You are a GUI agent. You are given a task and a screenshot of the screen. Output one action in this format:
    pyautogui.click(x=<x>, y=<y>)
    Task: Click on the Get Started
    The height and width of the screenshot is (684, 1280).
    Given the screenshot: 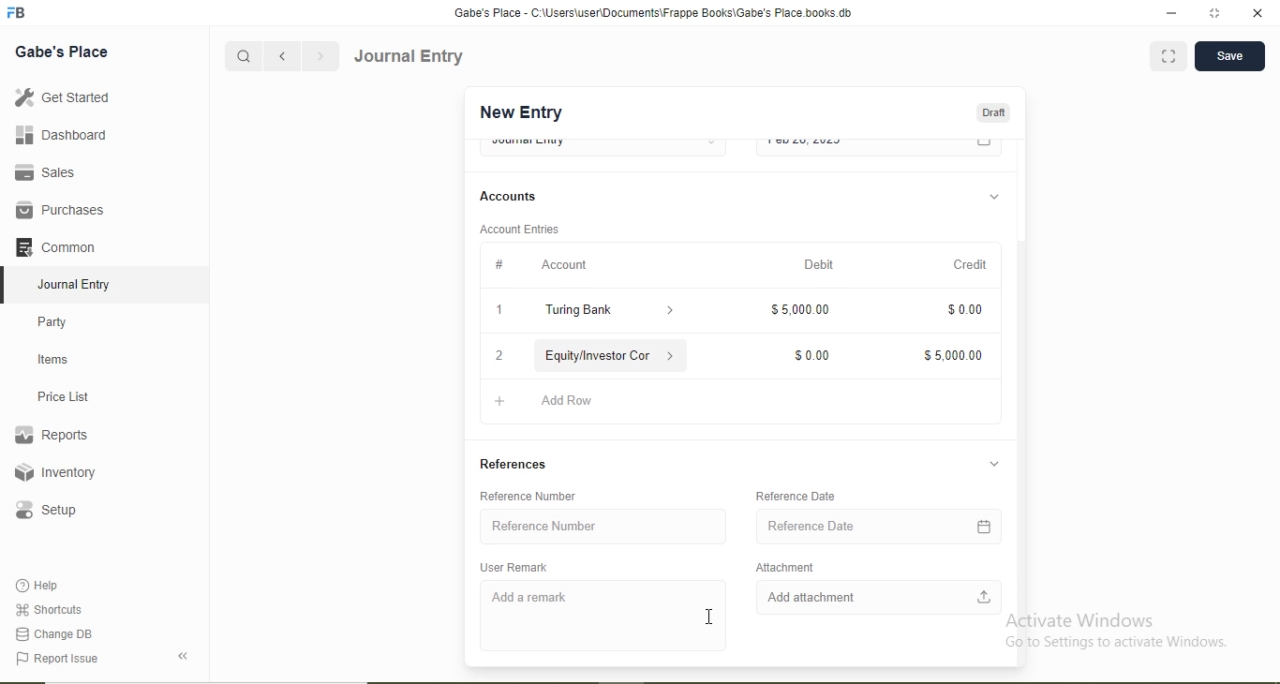 What is the action you would take?
    pyautogui.click(x=61, y=96)
    